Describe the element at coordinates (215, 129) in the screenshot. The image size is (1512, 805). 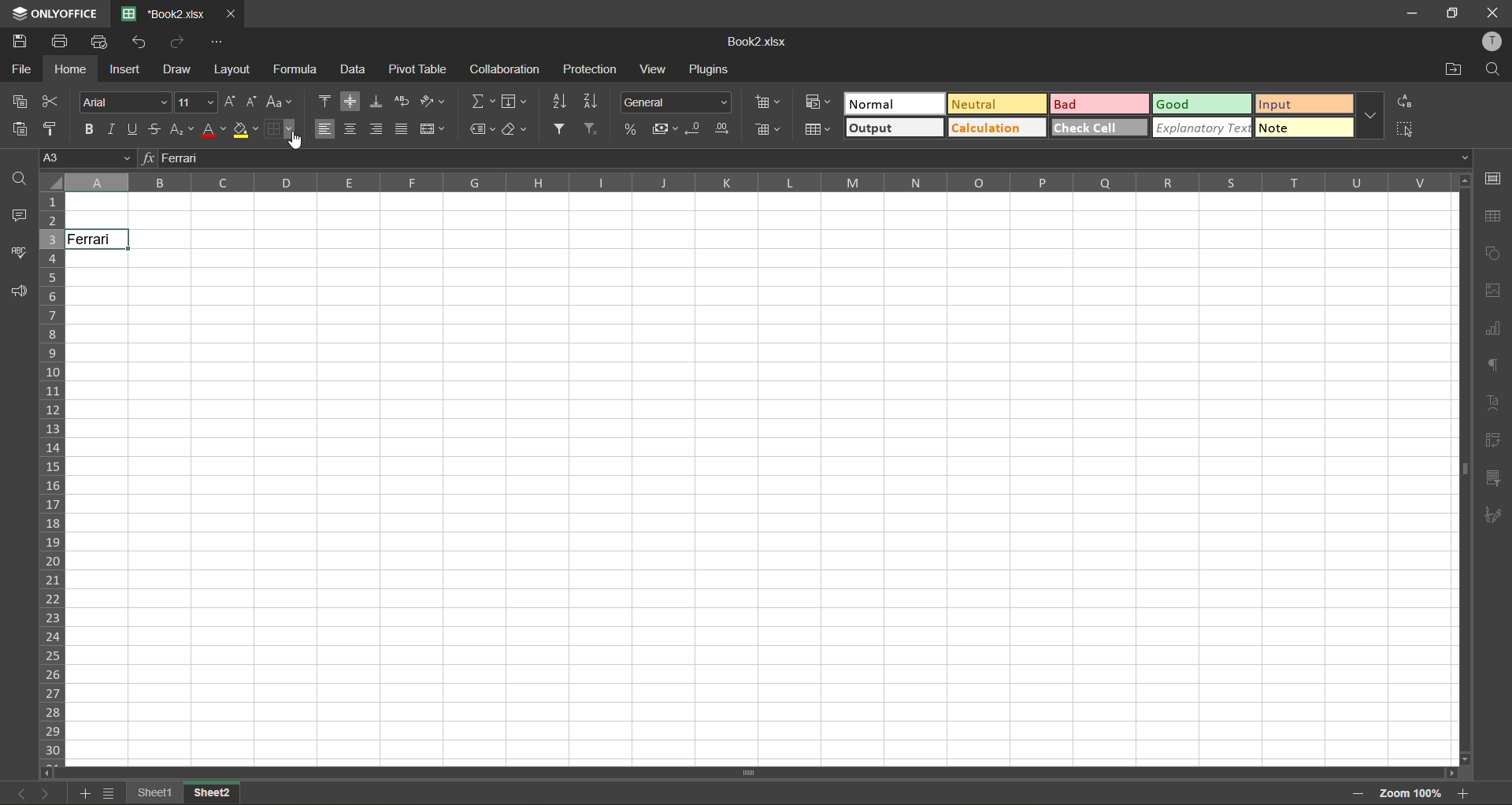
I see `font color` at that location.